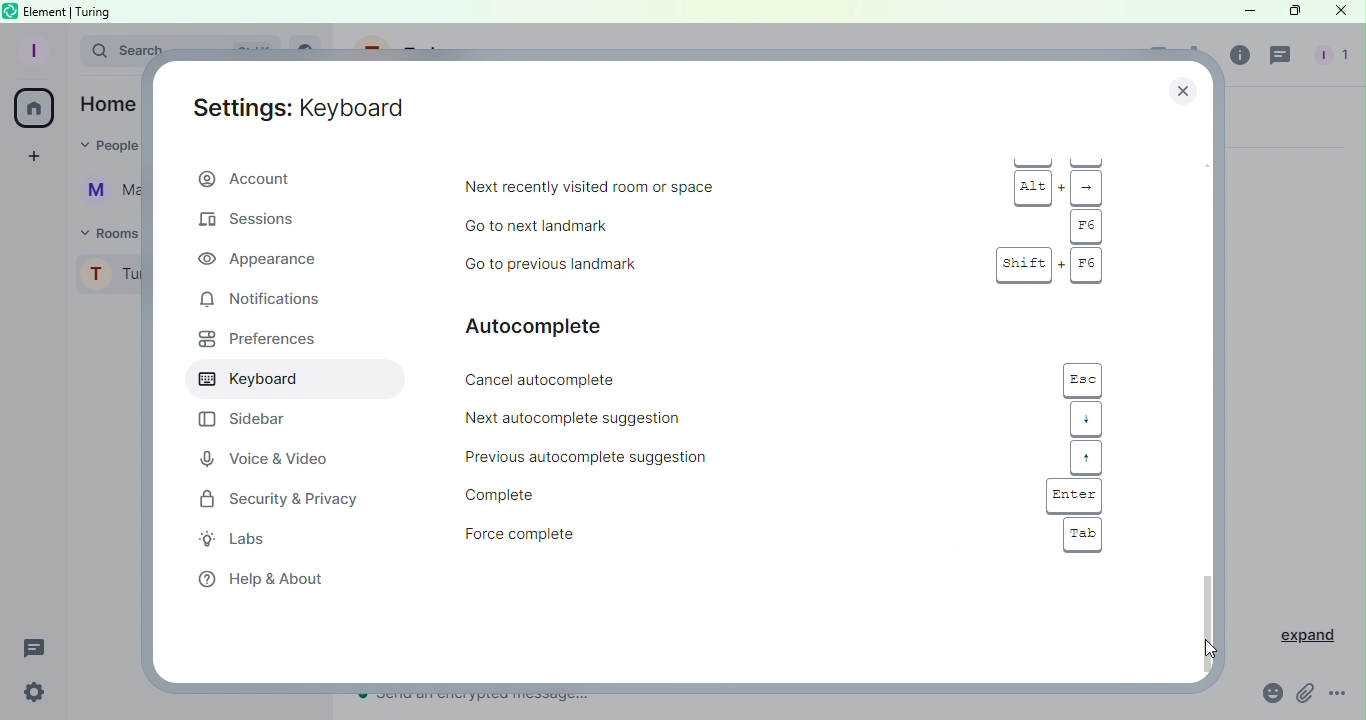 This screenshot has width=1366, height=720. What do you see at coordinates (282, 298) in the screenshot?
I see `Notifications` at bounding box center [282, 298].